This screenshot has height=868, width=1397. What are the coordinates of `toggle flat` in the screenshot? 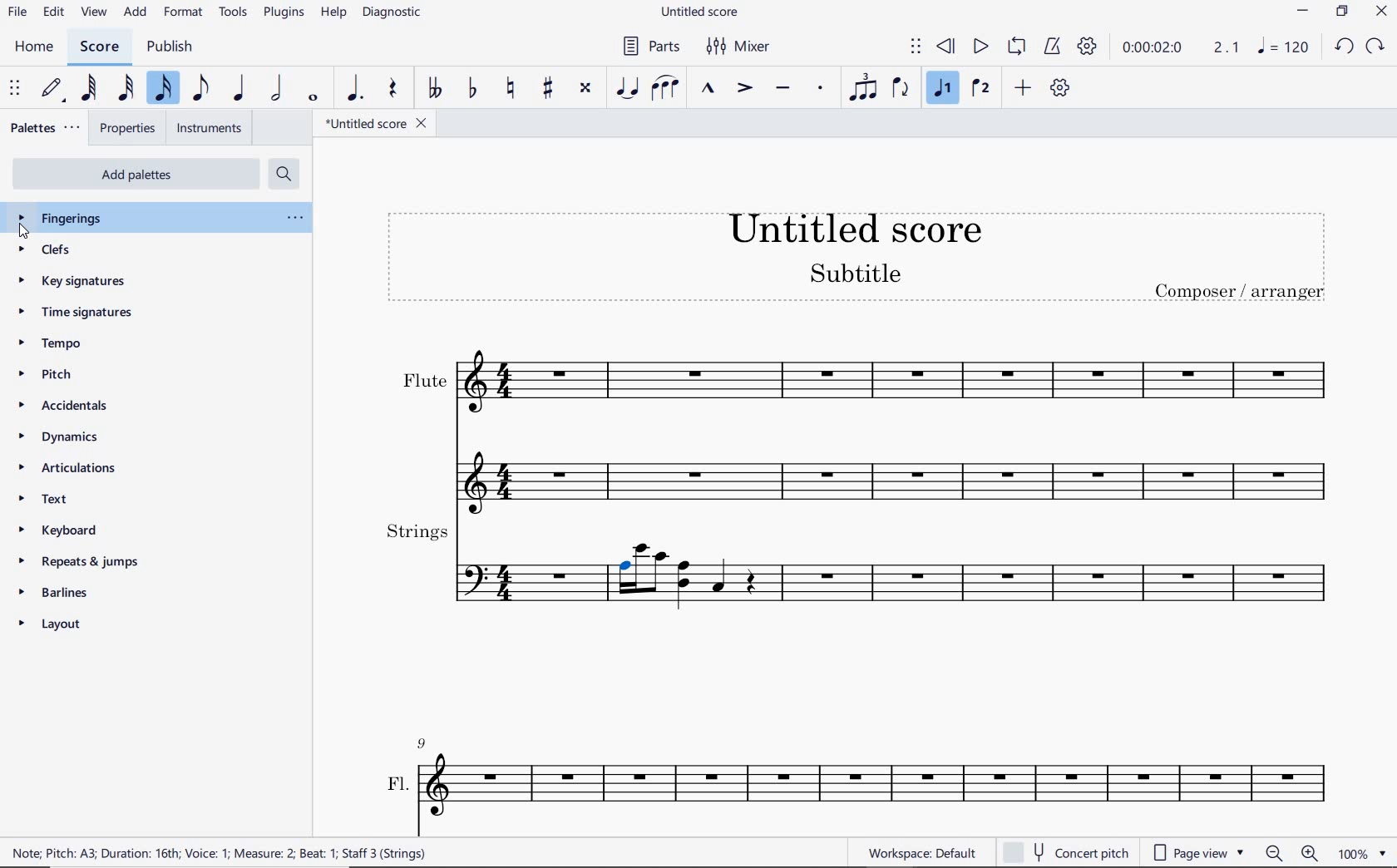 It's located at (472, 89).